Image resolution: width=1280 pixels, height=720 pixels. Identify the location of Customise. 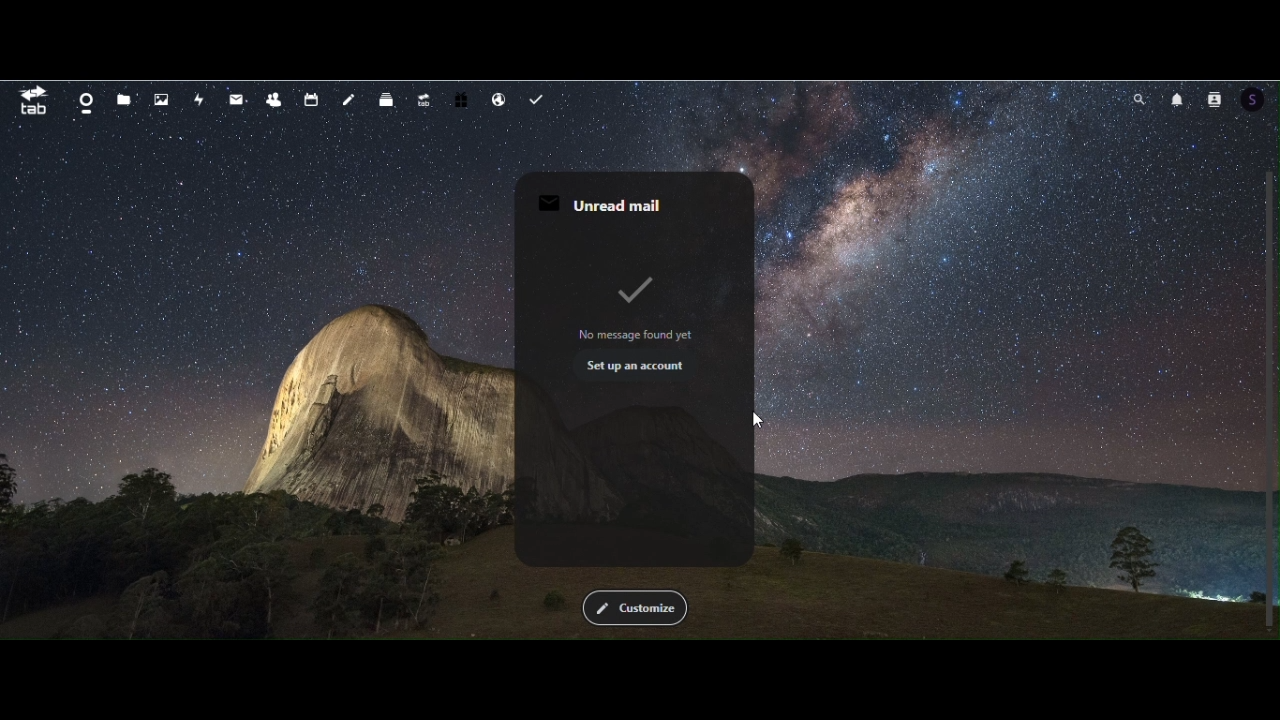
(635, 607).